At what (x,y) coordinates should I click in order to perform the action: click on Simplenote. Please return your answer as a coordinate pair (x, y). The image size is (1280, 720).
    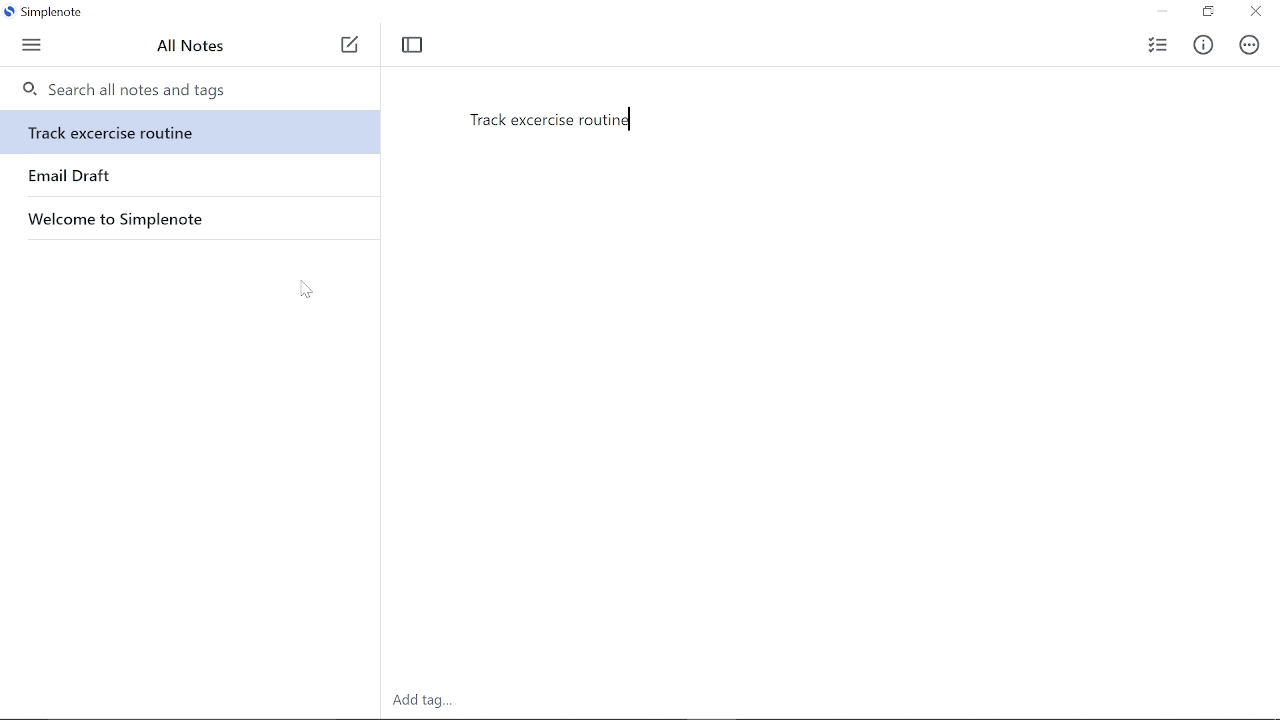
    Looking at the image, I should click on (50, 11).